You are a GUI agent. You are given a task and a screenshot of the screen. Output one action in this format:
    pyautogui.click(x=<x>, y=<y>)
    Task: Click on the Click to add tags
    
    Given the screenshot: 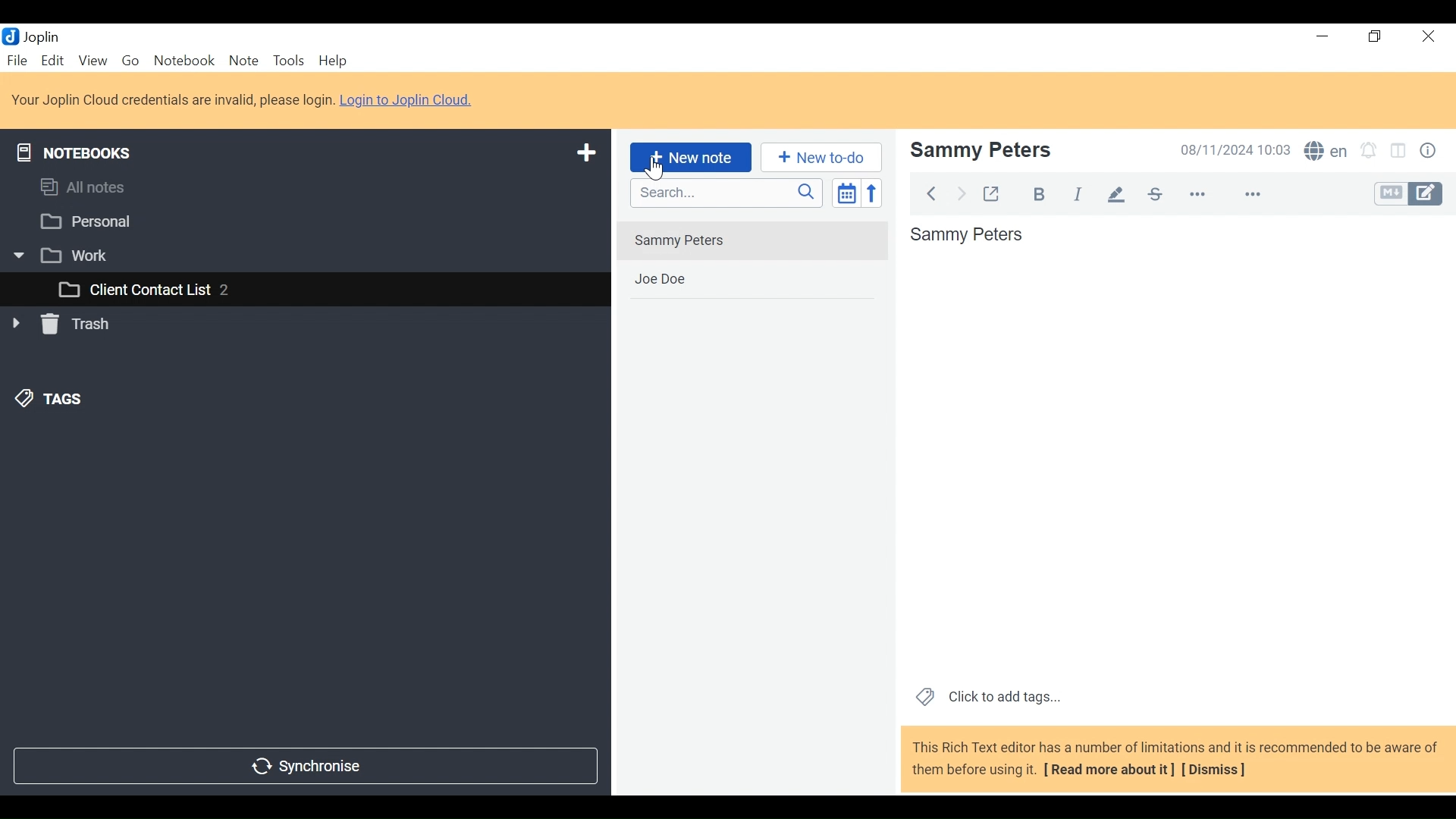 What is the action you would take?
    pyautogui.click(x=985, y=698)
    